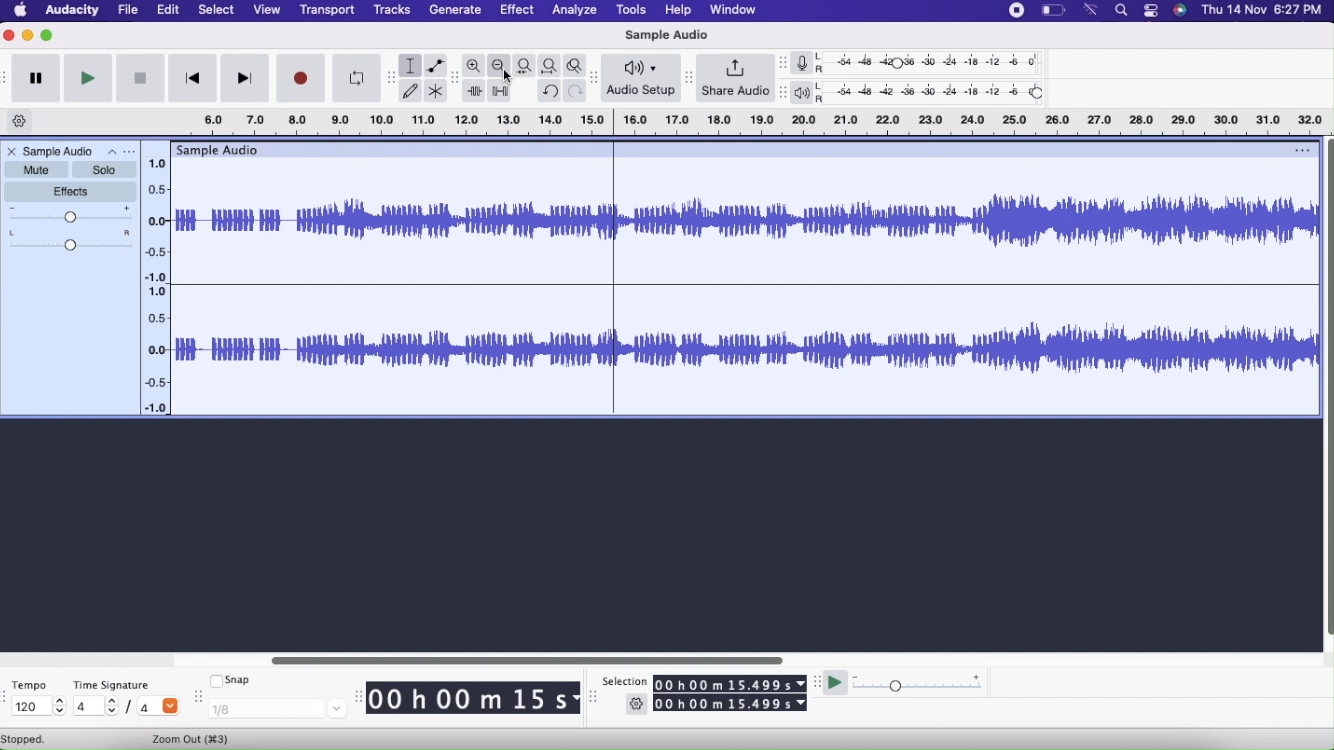  I want to click on Zoom Out, so click(500, 65).